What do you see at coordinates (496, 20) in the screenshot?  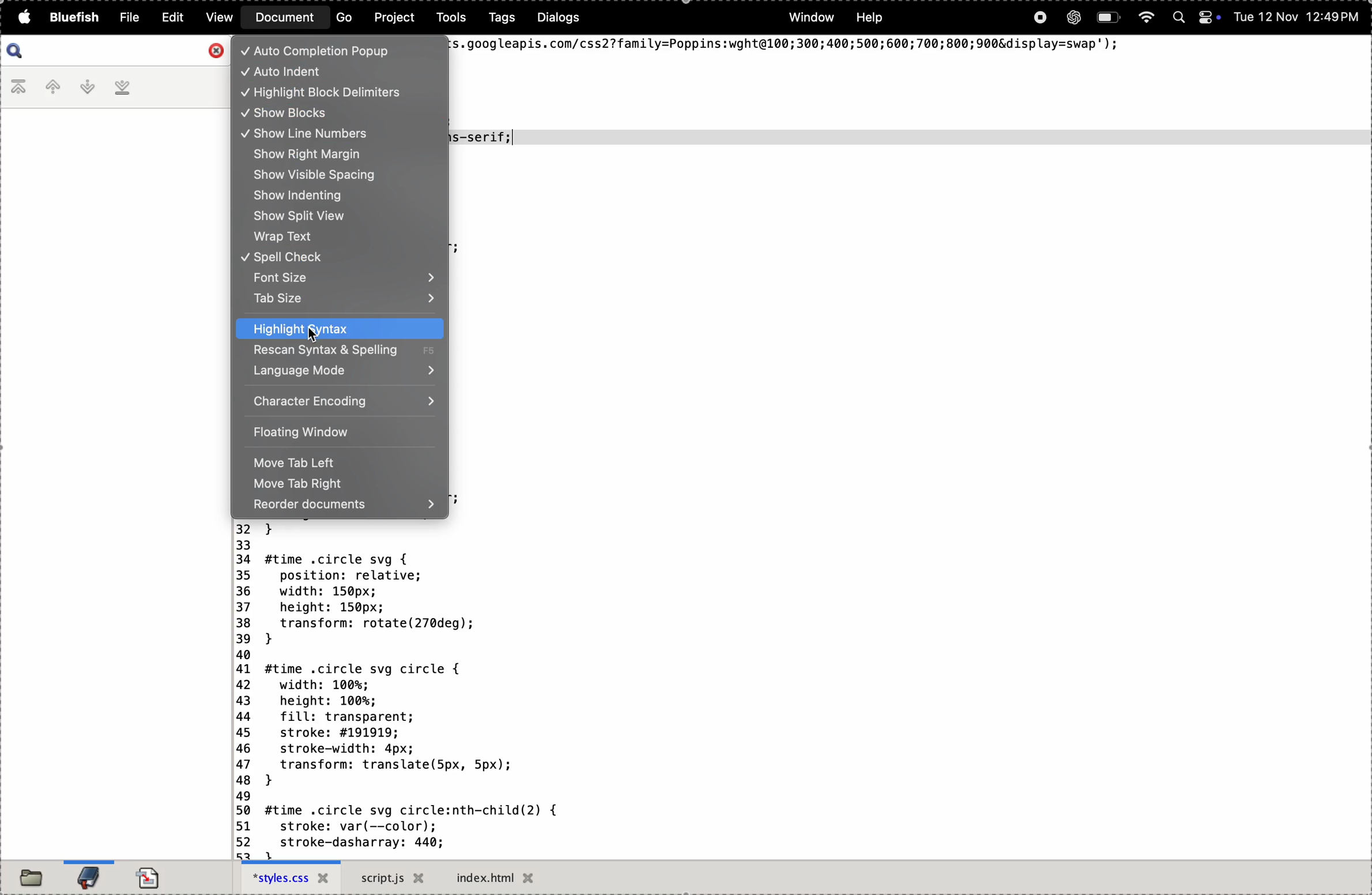 I see `tags` at bounding box center [496, 20].